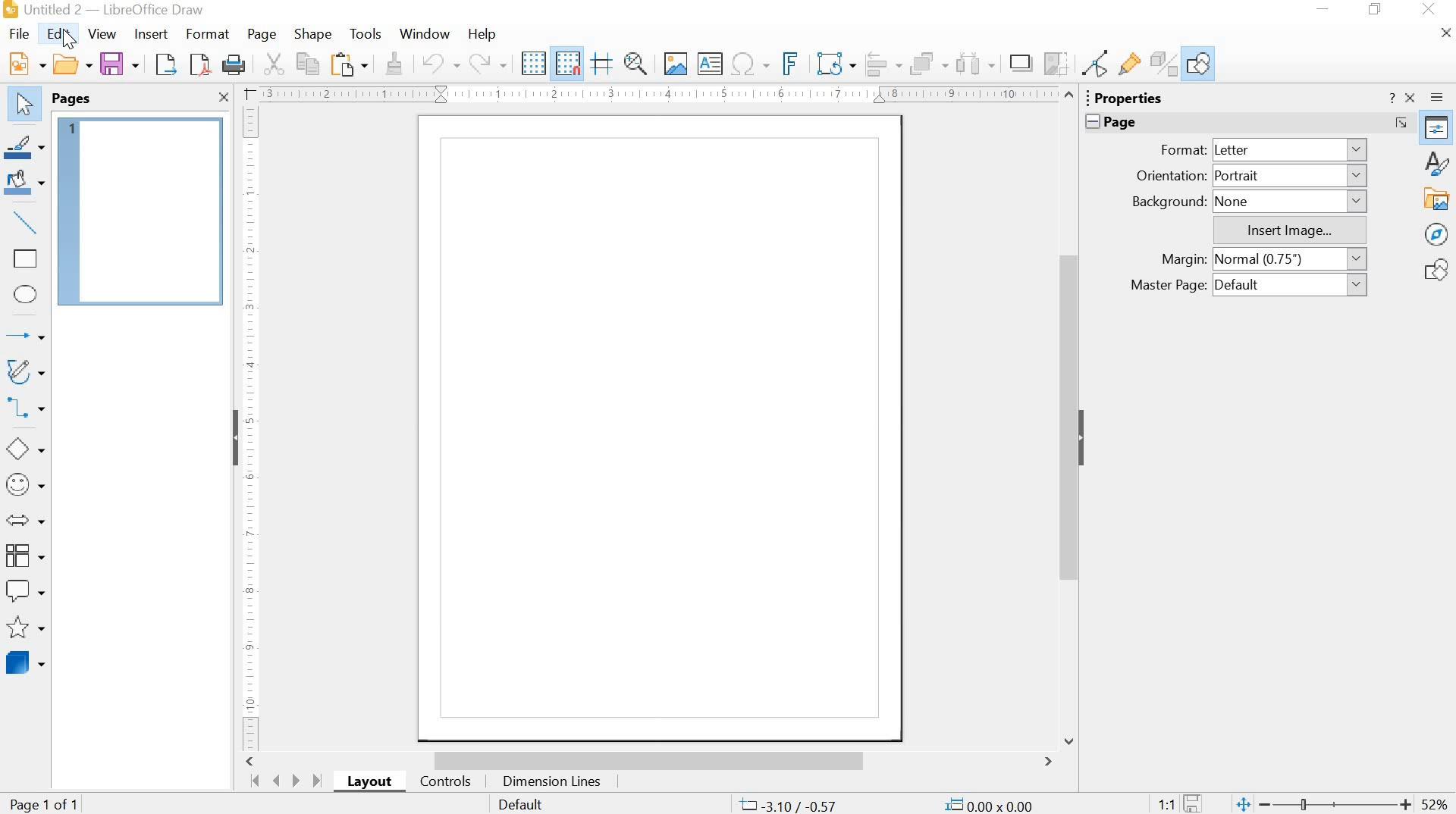 The height and width of the screenshot is (814, 1456). I want to click on Connectors (double click for multi-selection), so click(24, 407).